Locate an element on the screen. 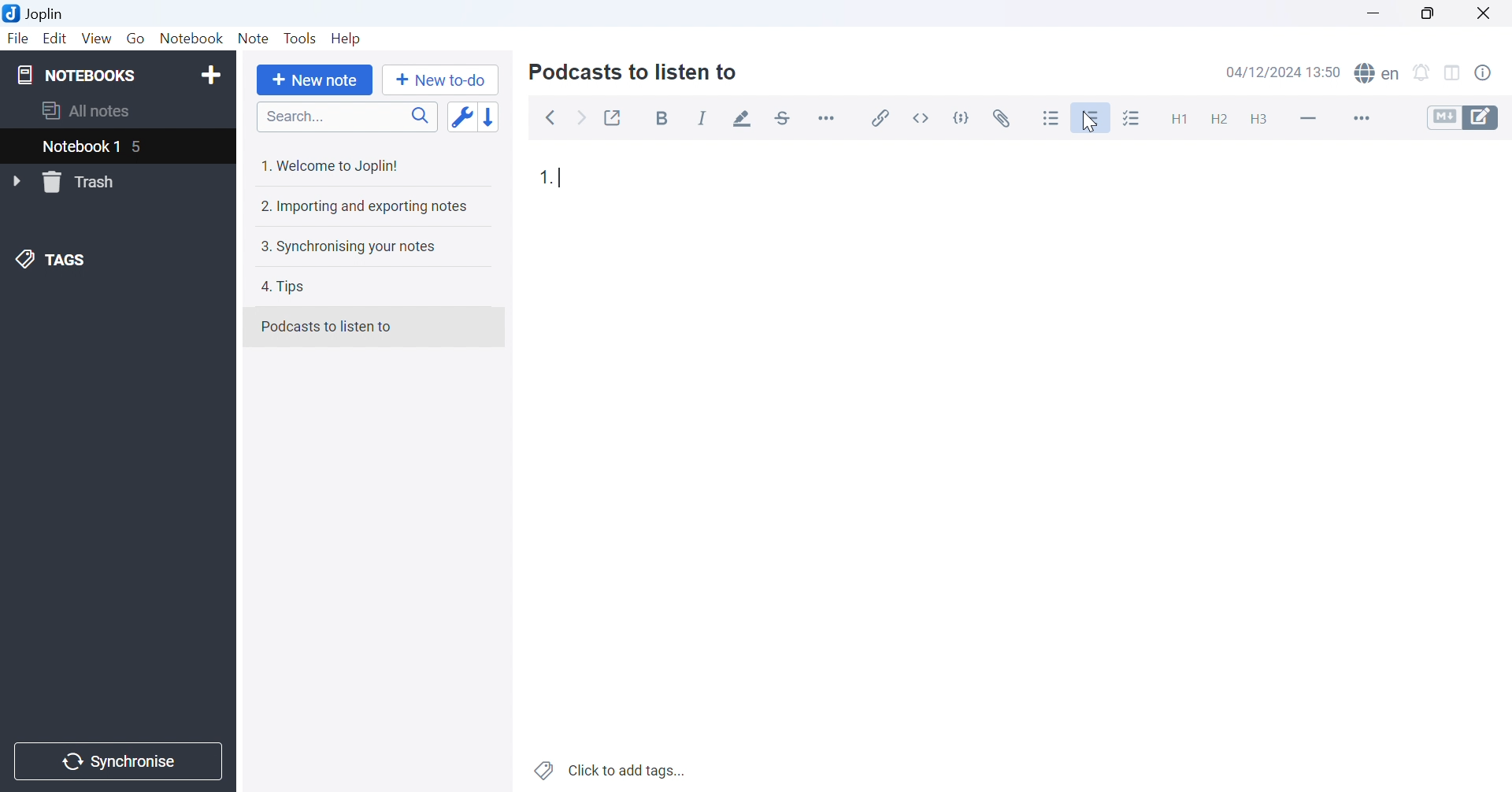  Minimize is located at coordinates (1372, 12).